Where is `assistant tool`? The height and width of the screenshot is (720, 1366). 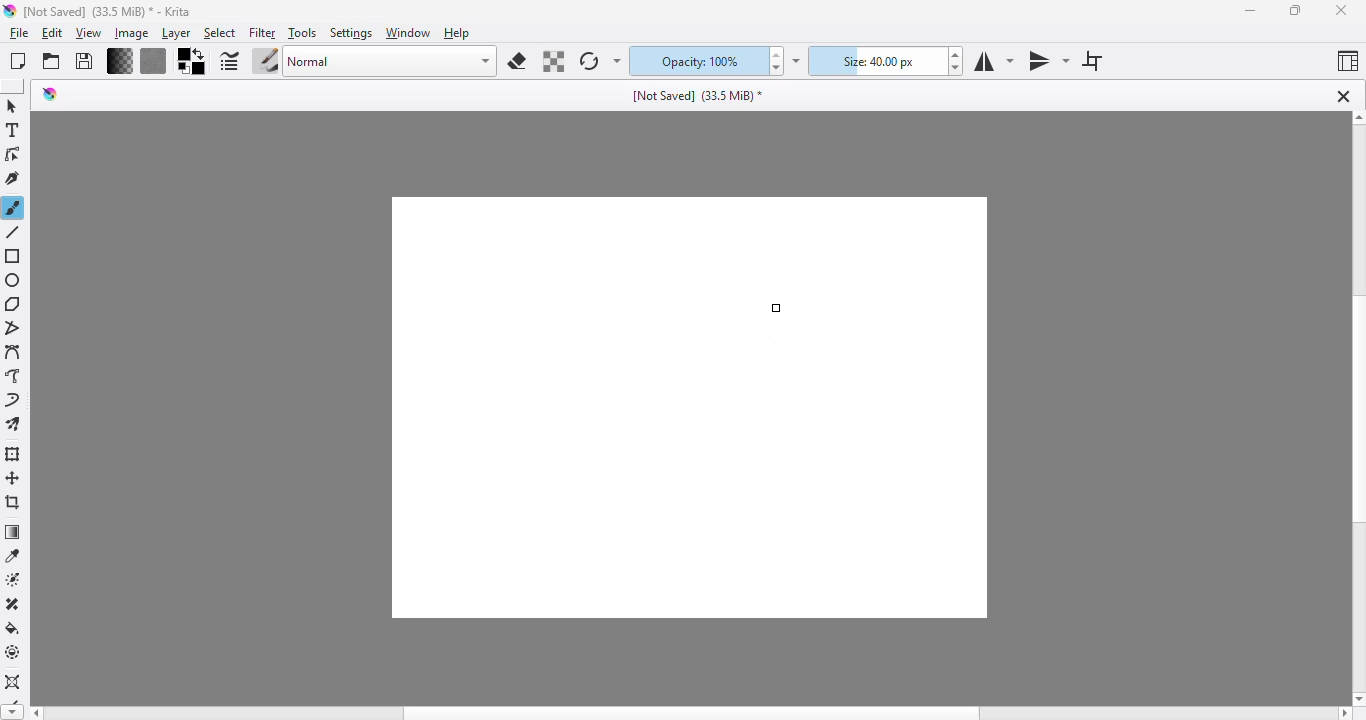
assistant tool is located at coordinates (13, 681).